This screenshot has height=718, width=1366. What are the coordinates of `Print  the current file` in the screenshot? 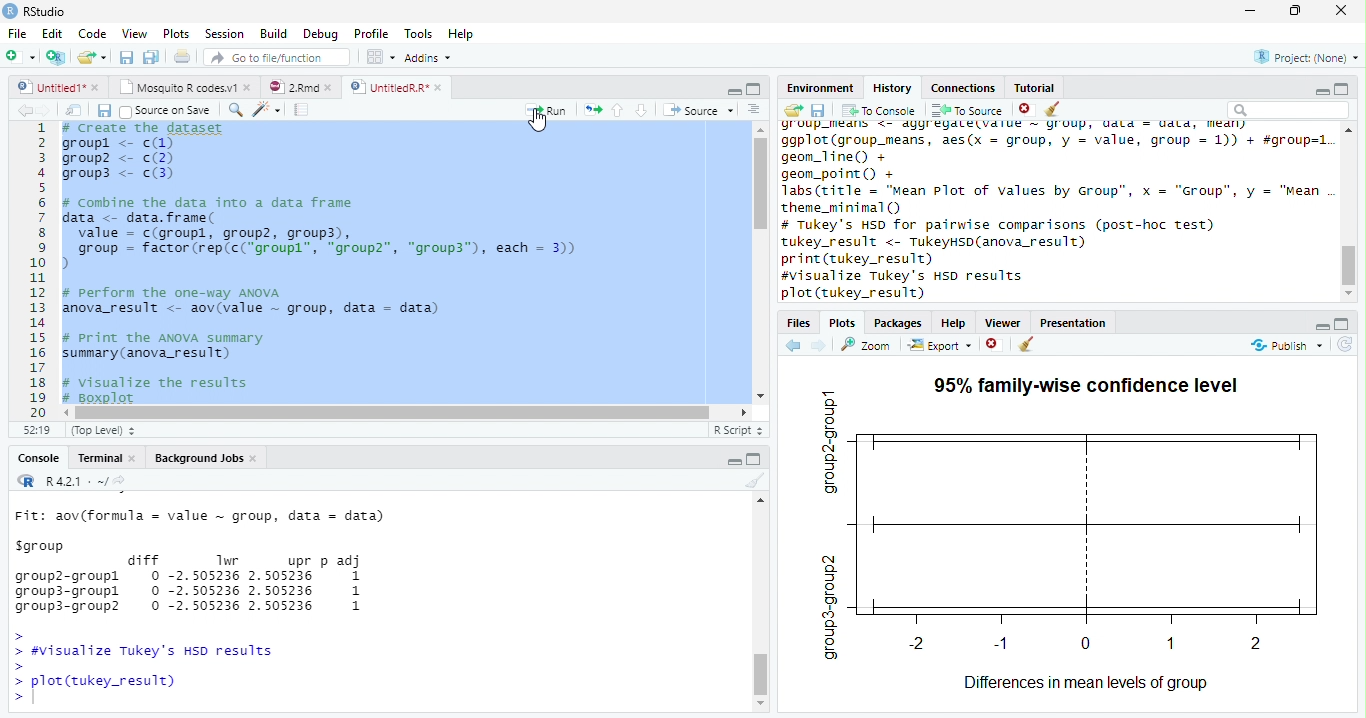 It's located at (183, 57).